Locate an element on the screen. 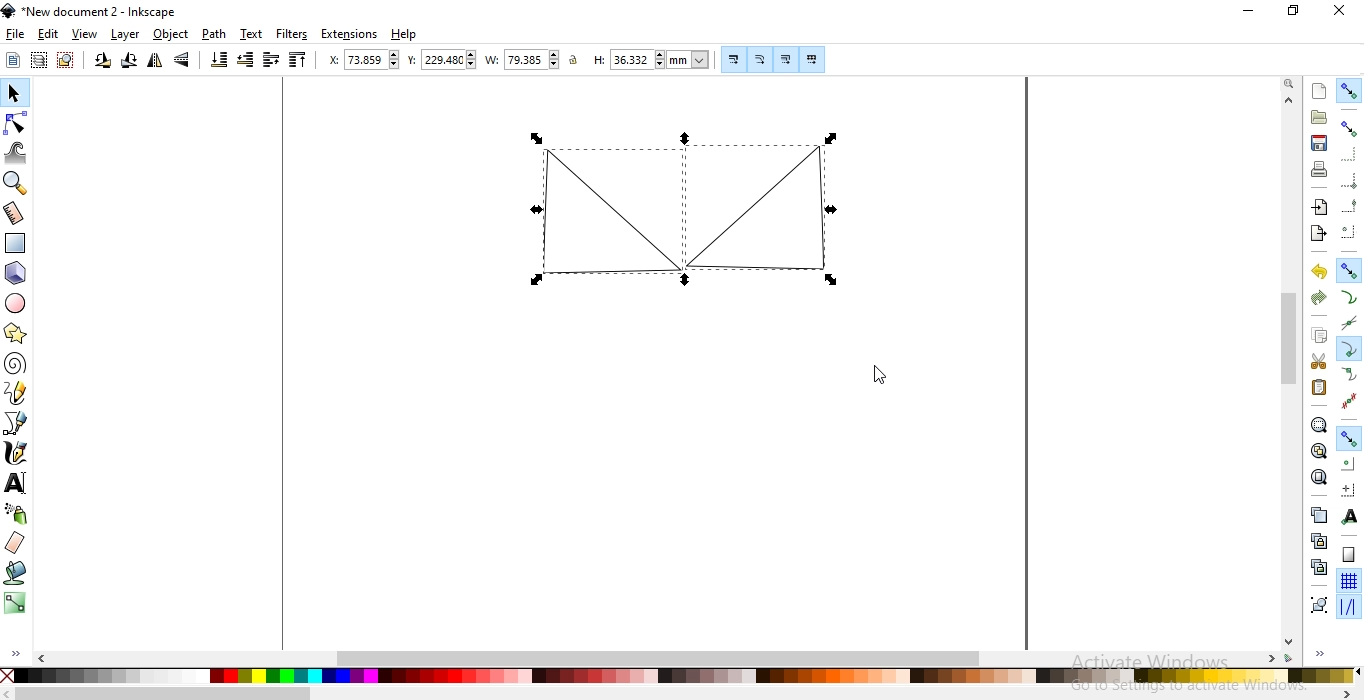  cut selection is located at coordinates (1314, 361).